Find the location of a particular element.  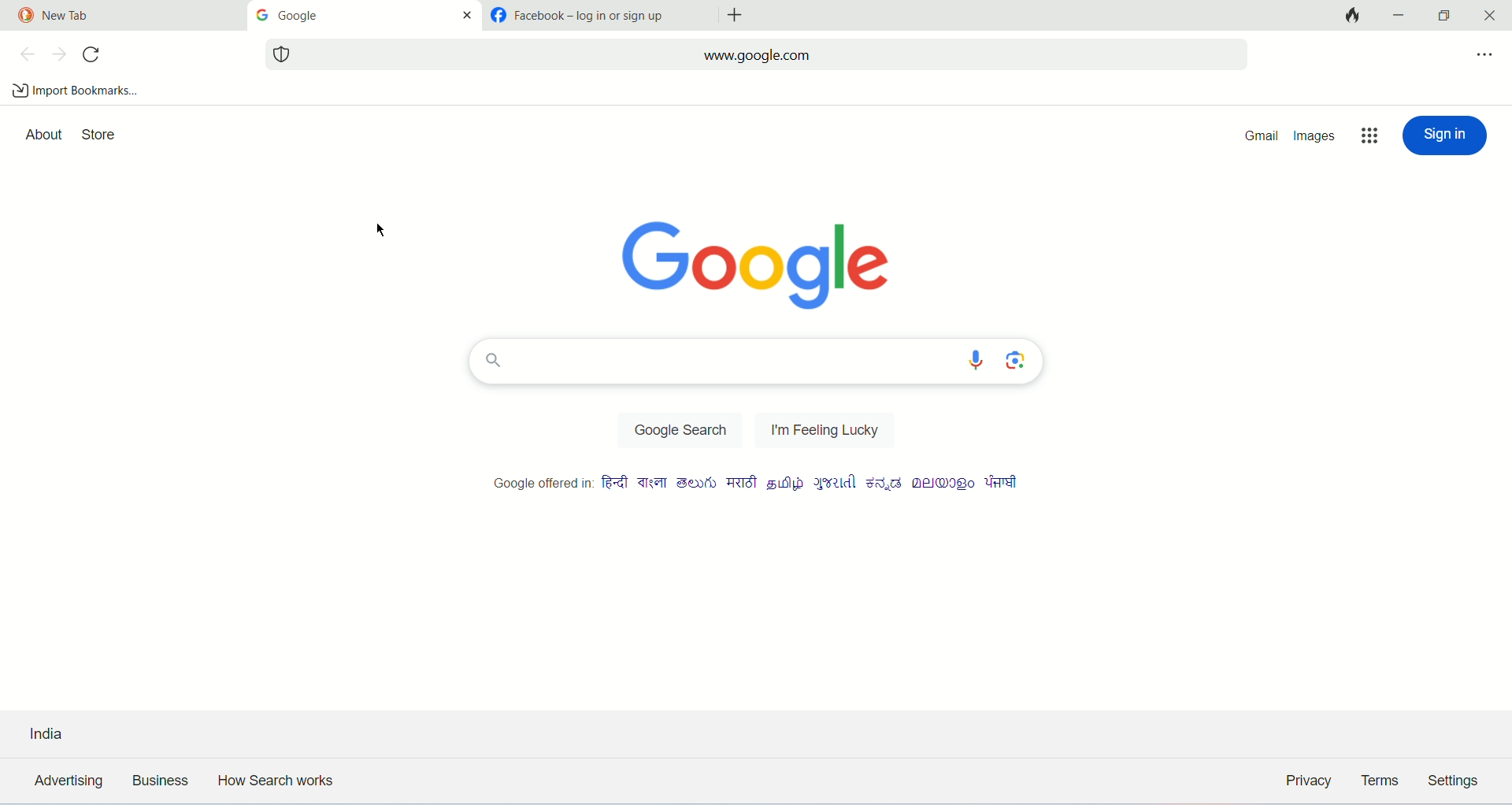

settings is located at coordinates (1455, 777).